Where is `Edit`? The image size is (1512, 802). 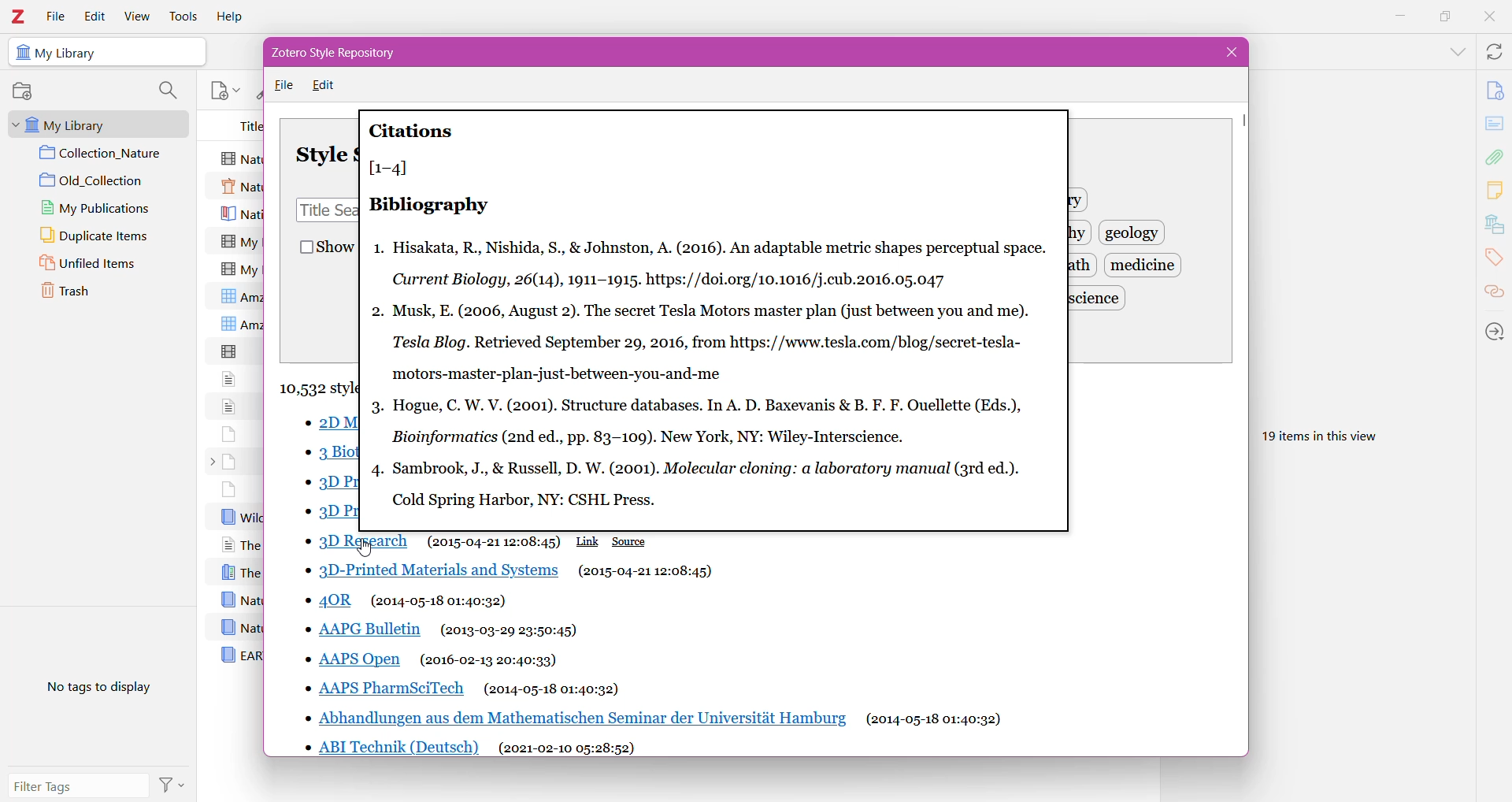 Edit is located at coordinates (94, 17).